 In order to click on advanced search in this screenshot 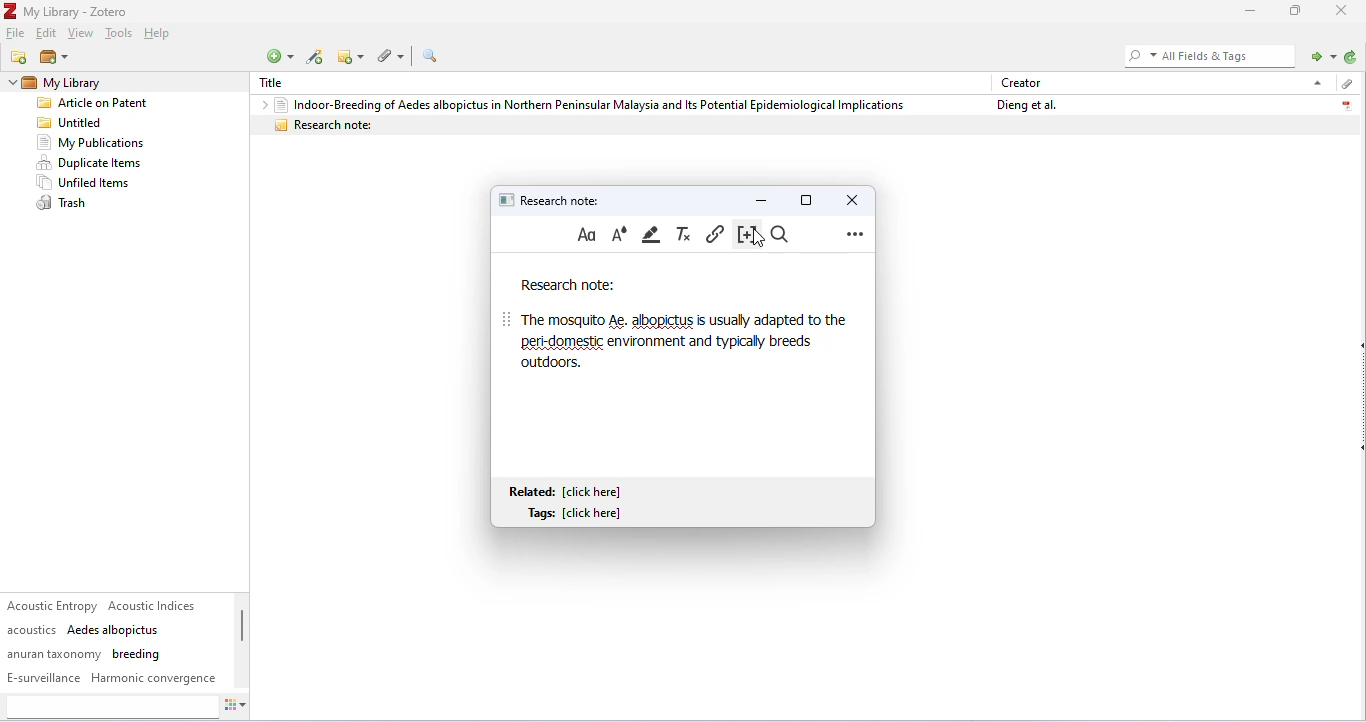, I will do `click(430, 56)`.